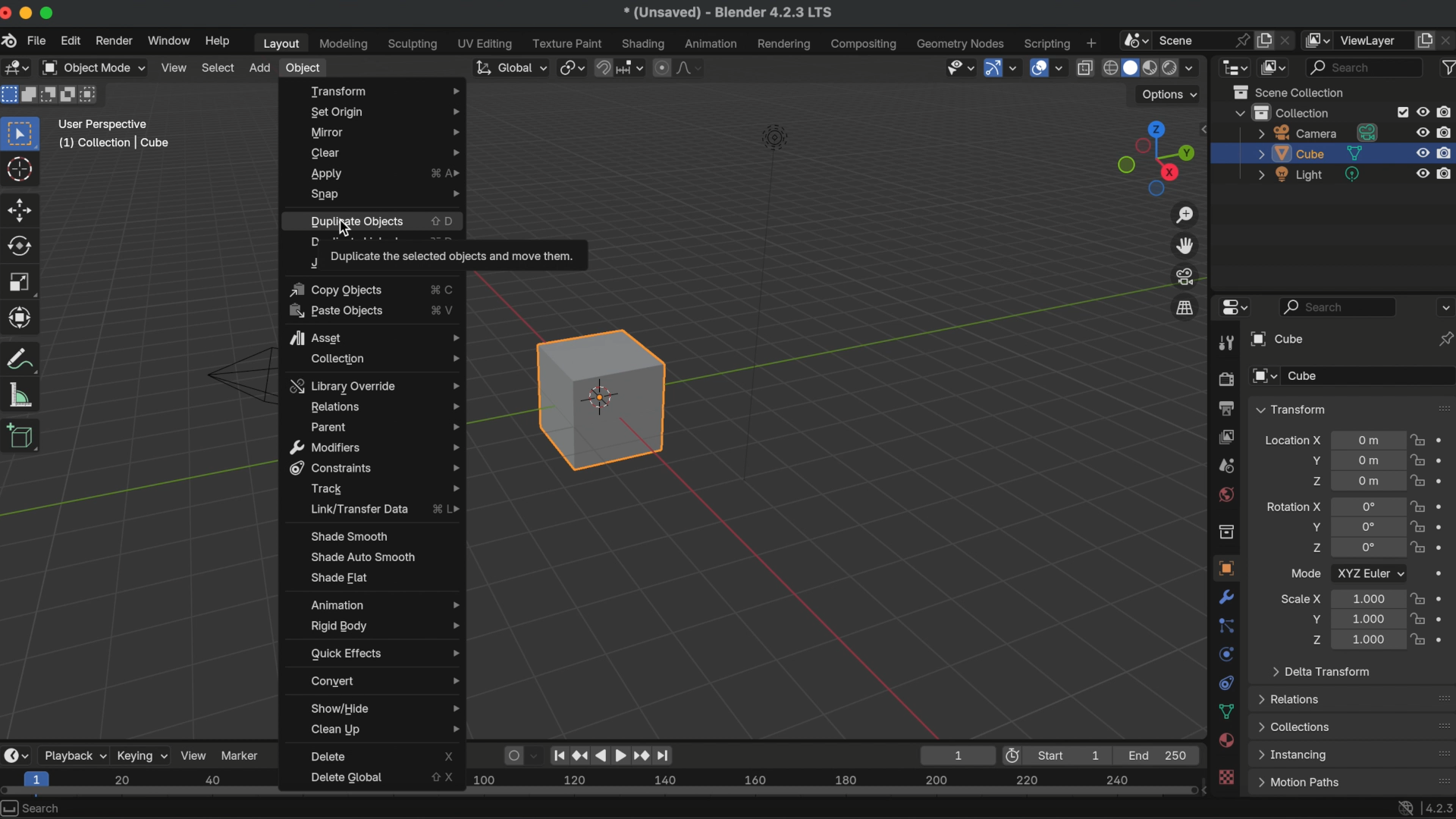  Describe the element at coordinates (1403, 807) in the screenshot. I see `network access` at that location.